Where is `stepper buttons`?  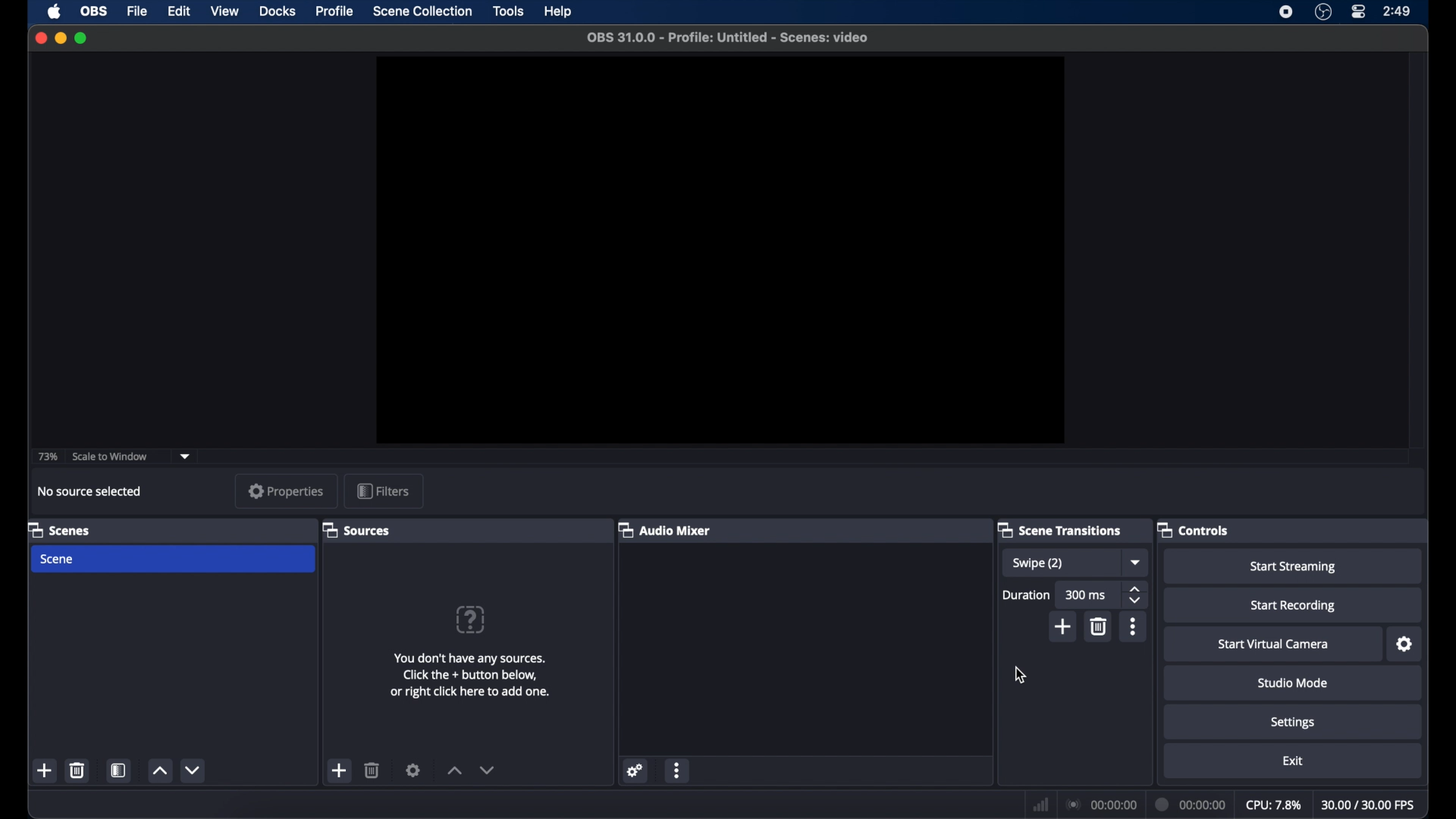
stepper buttons is located at coordinates (1134, 594).